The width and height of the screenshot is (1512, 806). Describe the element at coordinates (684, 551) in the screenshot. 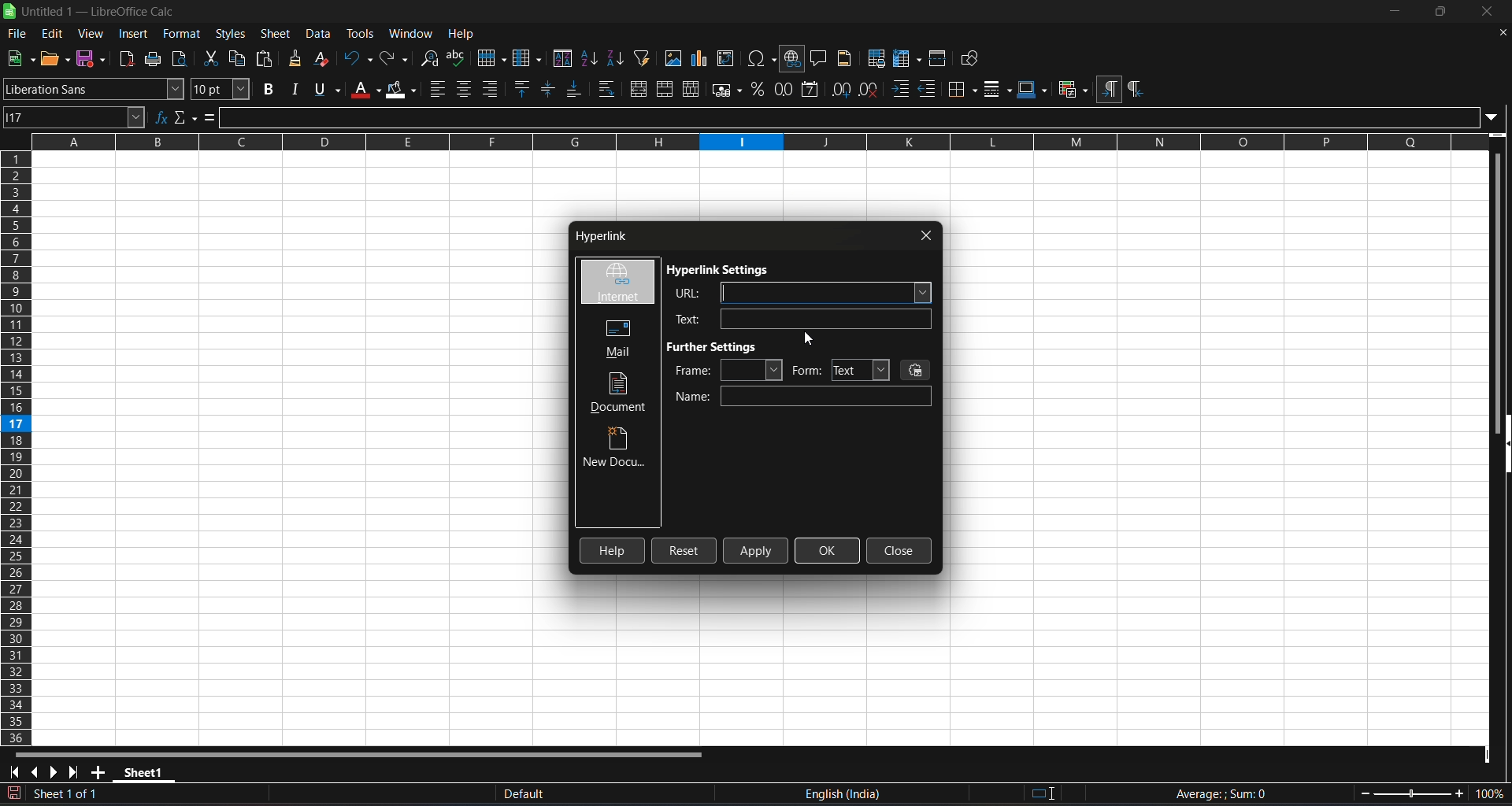

I see `reset` at that location.